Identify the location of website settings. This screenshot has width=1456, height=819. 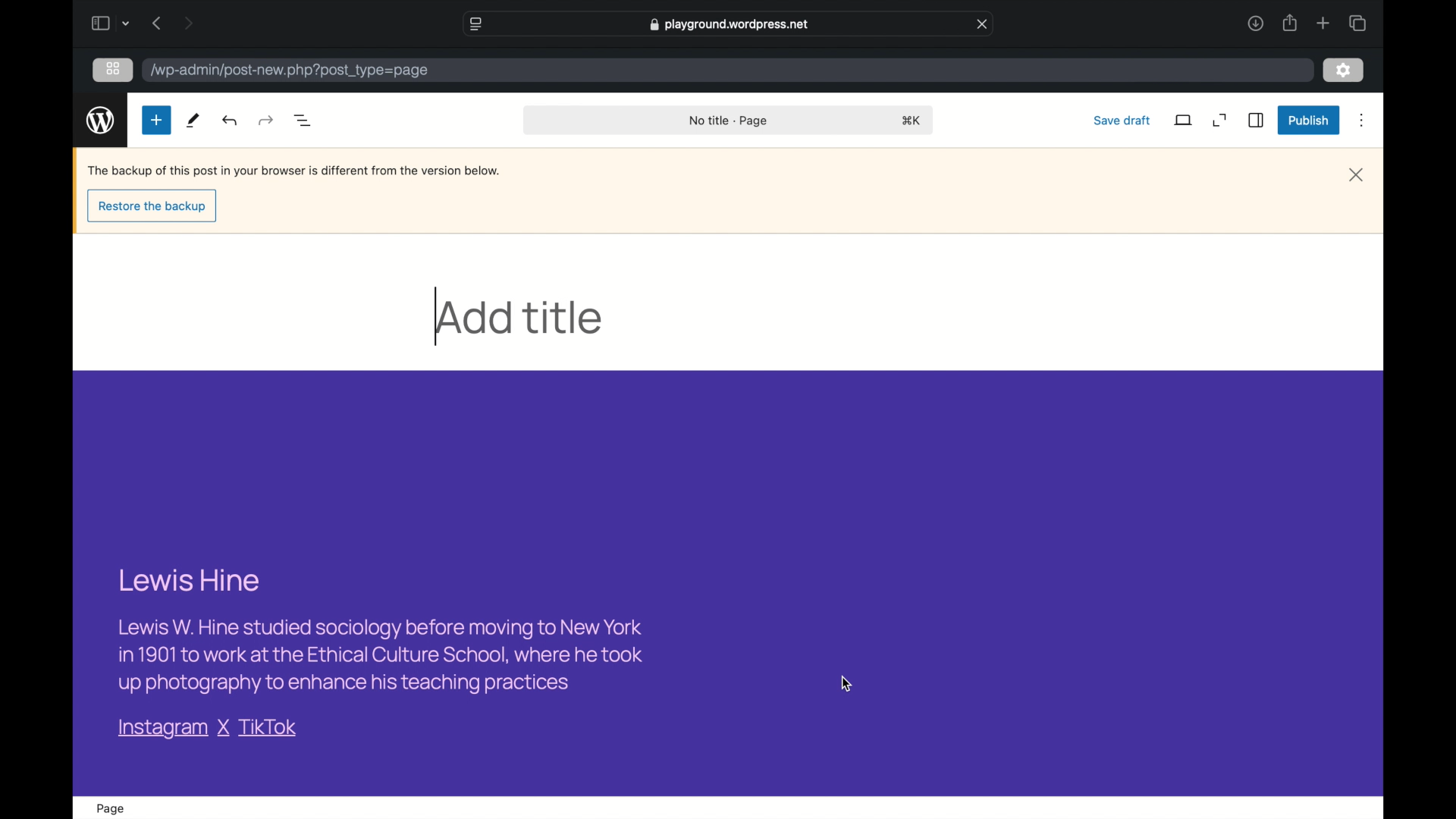
(475, 24).